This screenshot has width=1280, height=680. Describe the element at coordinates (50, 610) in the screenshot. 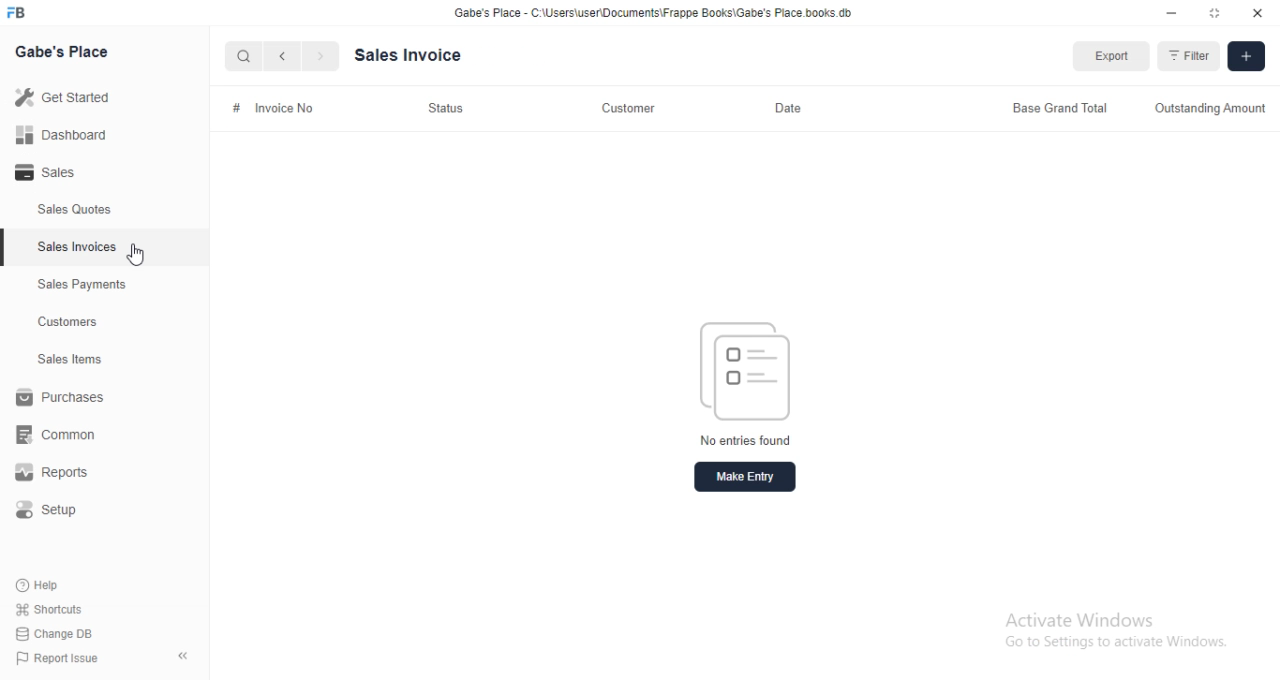

I see `Shortcuts` at that location.